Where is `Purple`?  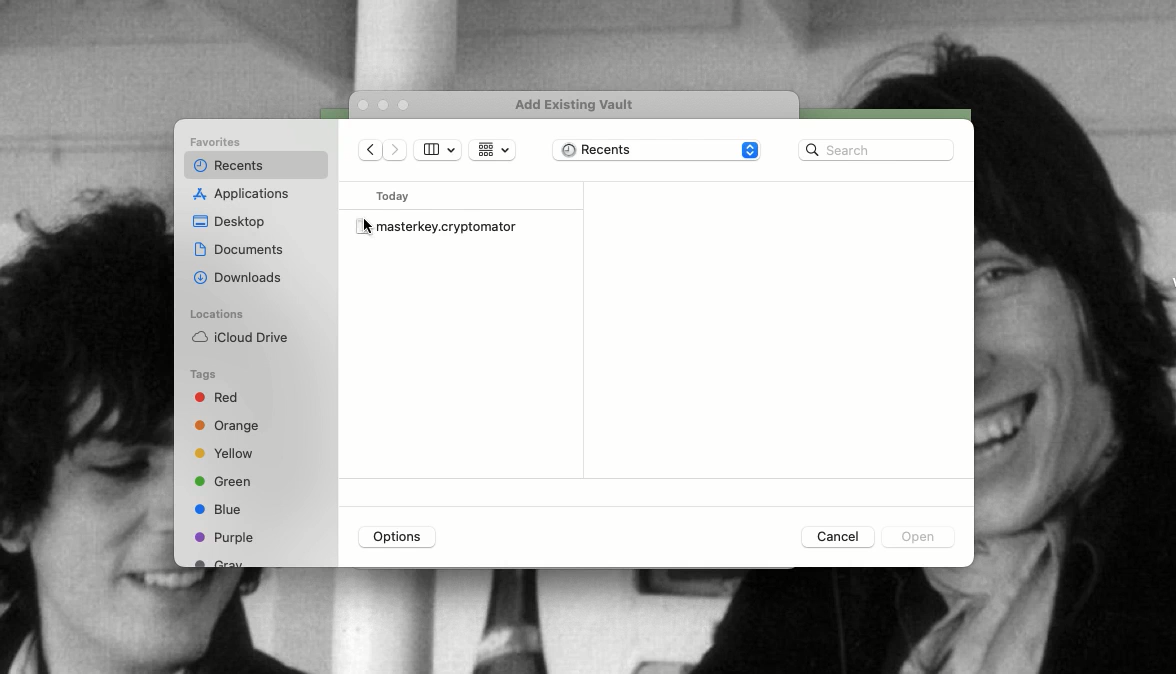 Purple is located at coordinates (225, 537).